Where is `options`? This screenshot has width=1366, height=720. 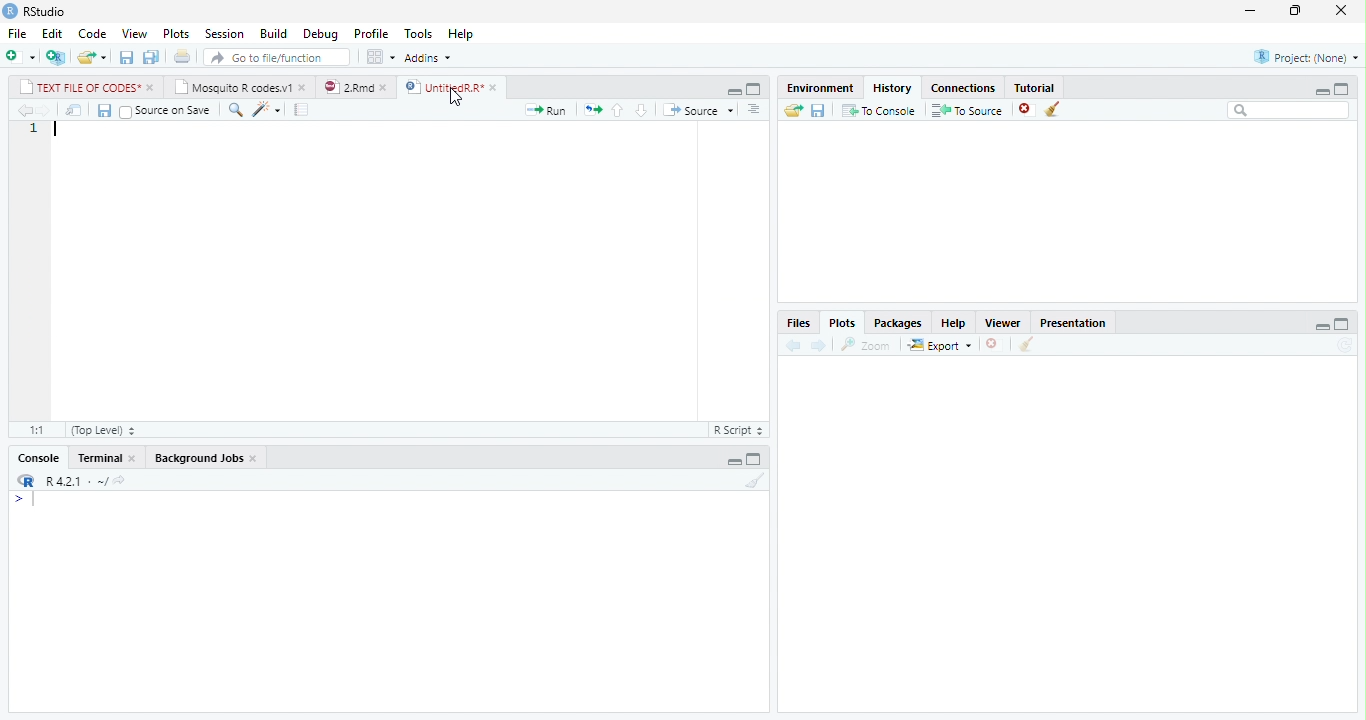
options is located at coordinates (380, 57).